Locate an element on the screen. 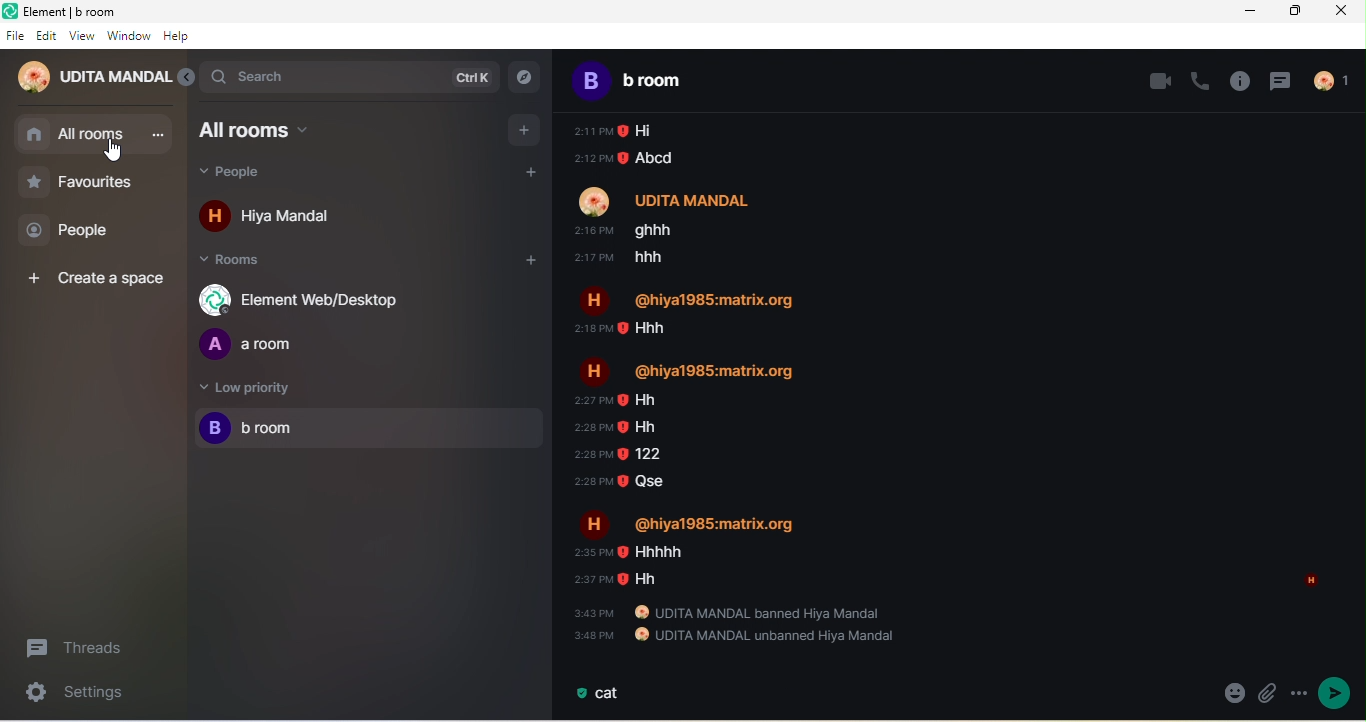 Image resolution: width=1366 pixels, height=722 pixels. add room is located at coordinates (525, 130).